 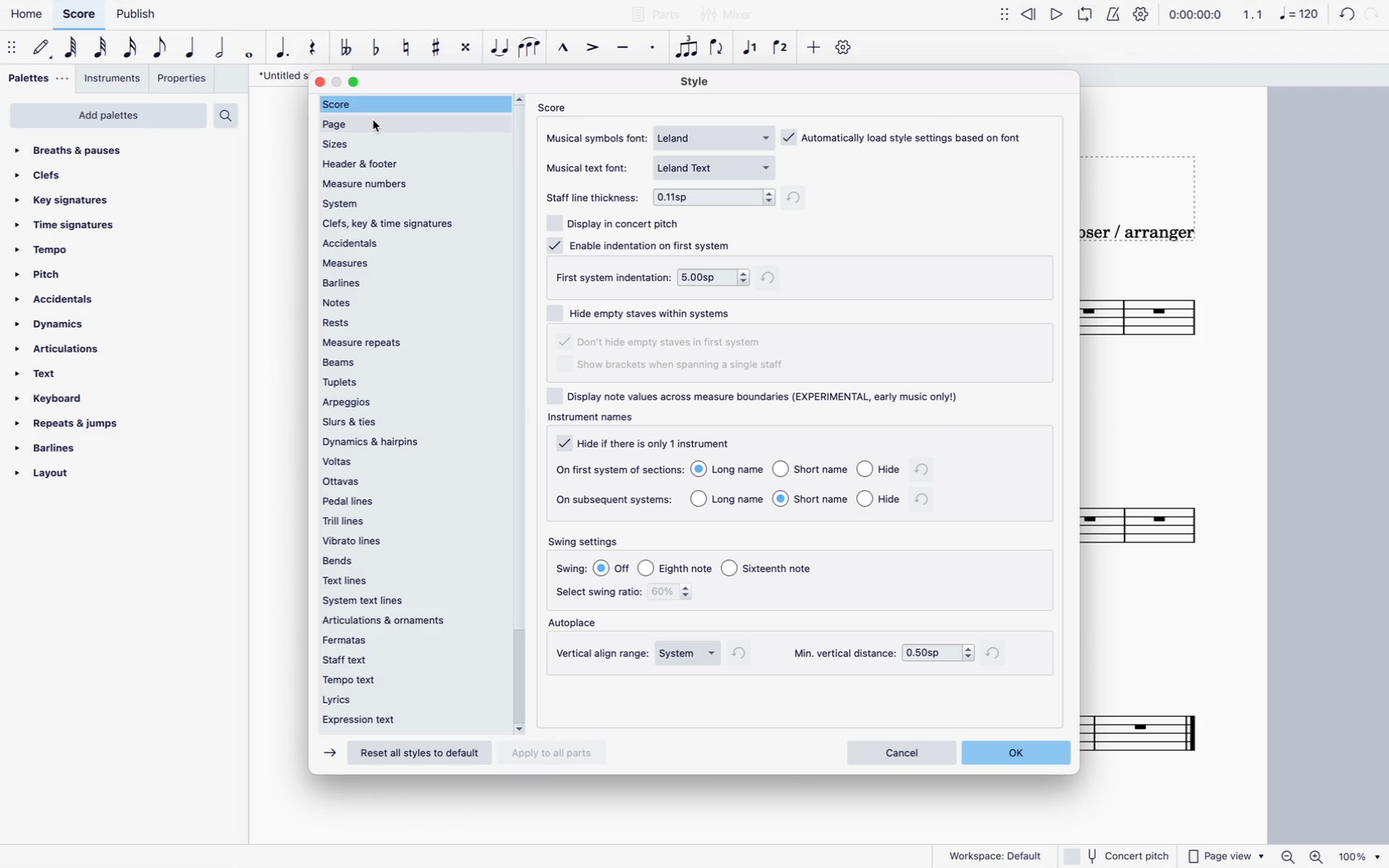 What do you see at coordinates (562, 49) in the screenshot?
I see `marcatto` at bounding box center [562, 49].